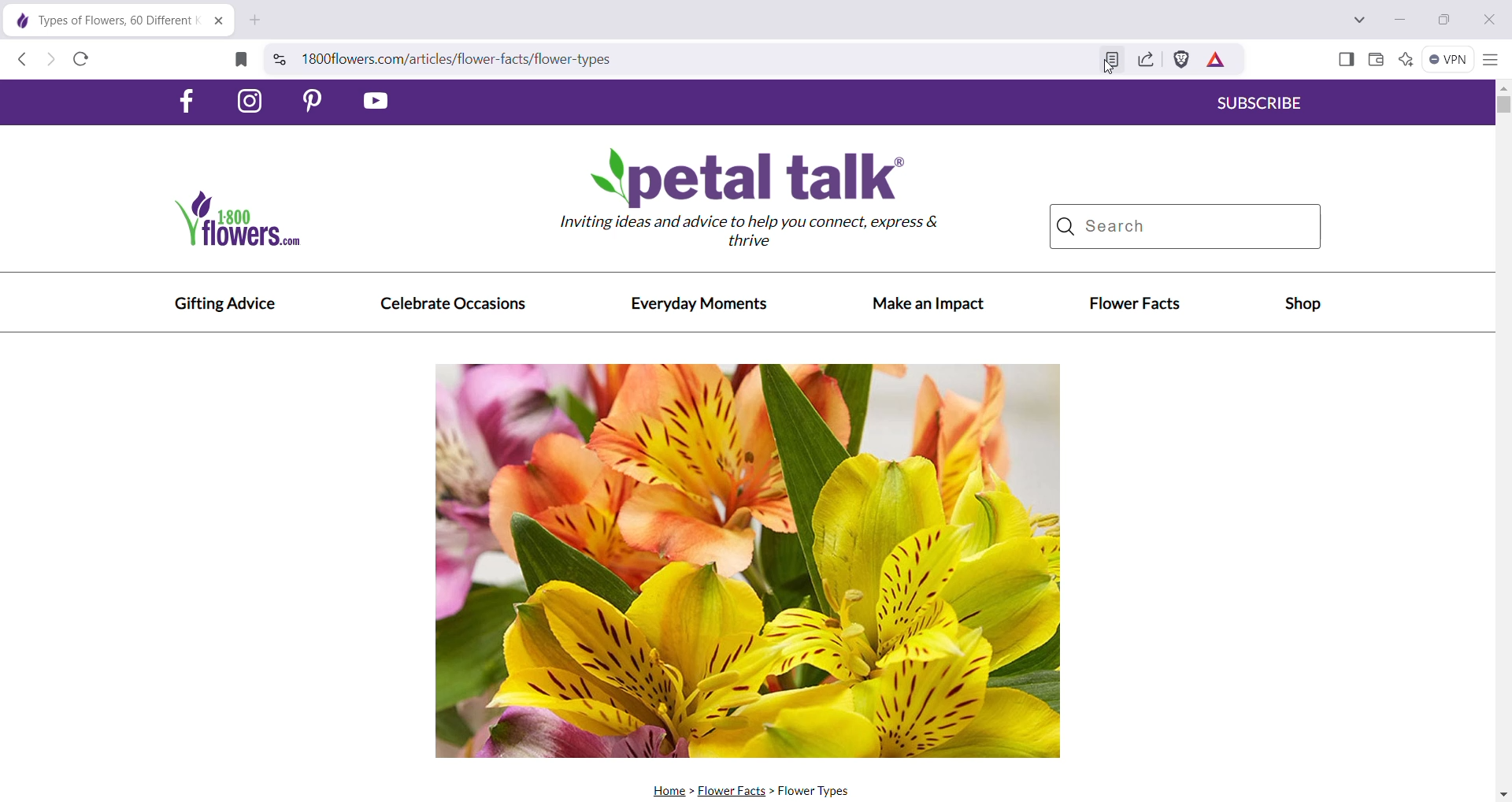 This screenshot has width=1512, height=802. Describe the element at coordinates (821, 792) in the screenshot. I see `Flower Types` at that location.